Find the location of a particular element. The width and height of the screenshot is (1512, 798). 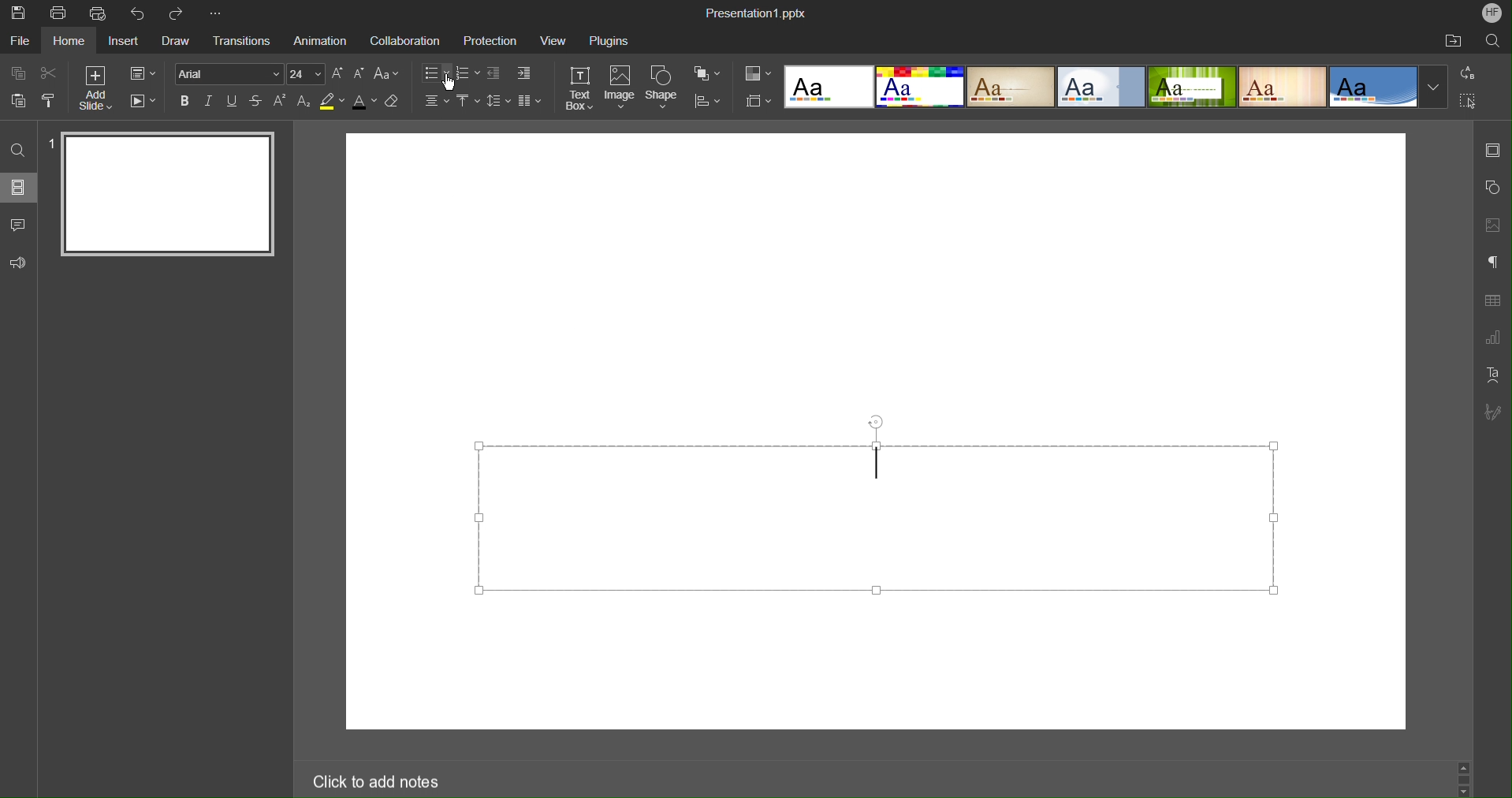

Text Color is located at coordinates (364, 102).